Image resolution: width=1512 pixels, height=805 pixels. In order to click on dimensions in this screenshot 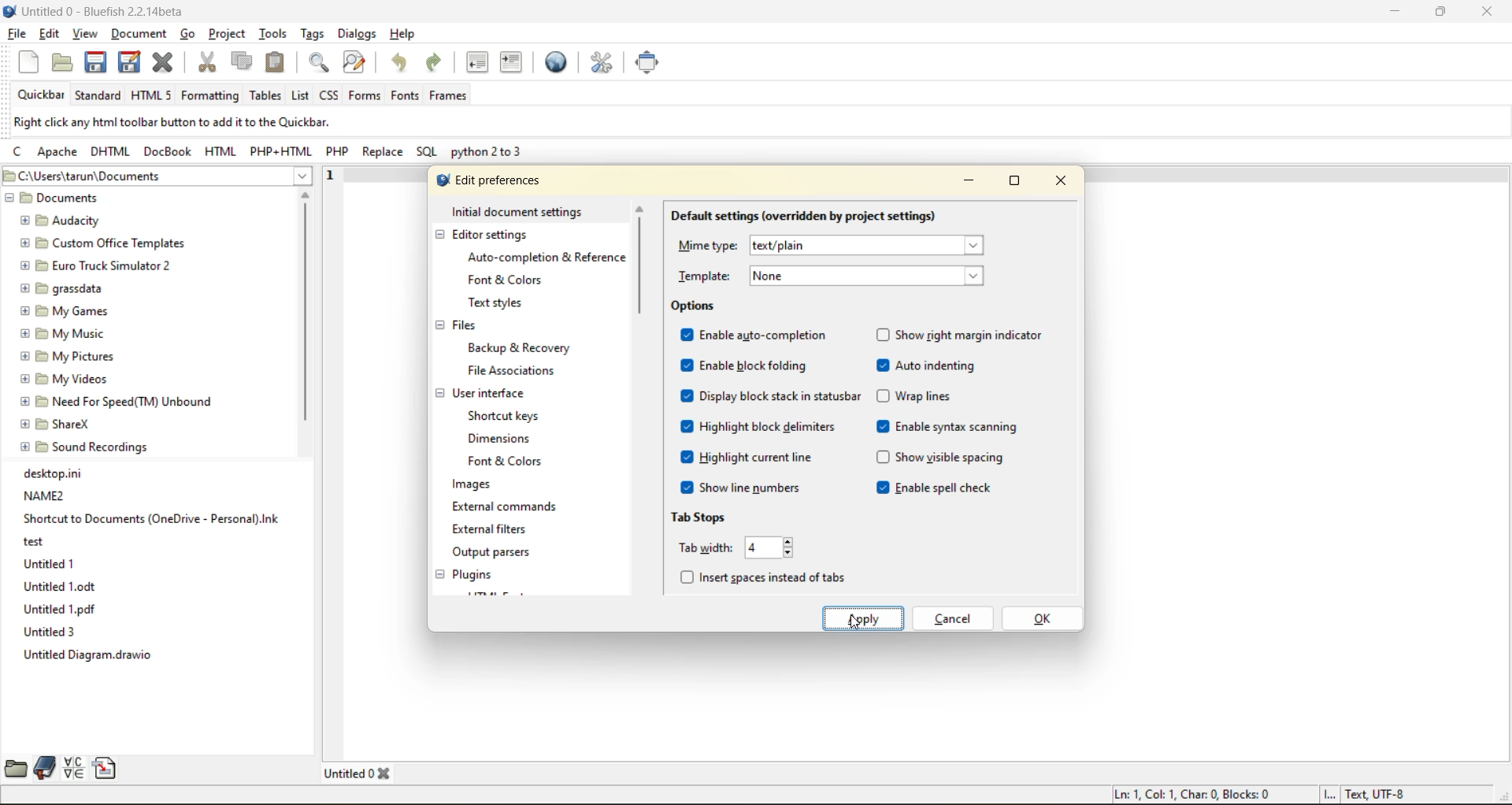, I will do `click(504, 438)`.